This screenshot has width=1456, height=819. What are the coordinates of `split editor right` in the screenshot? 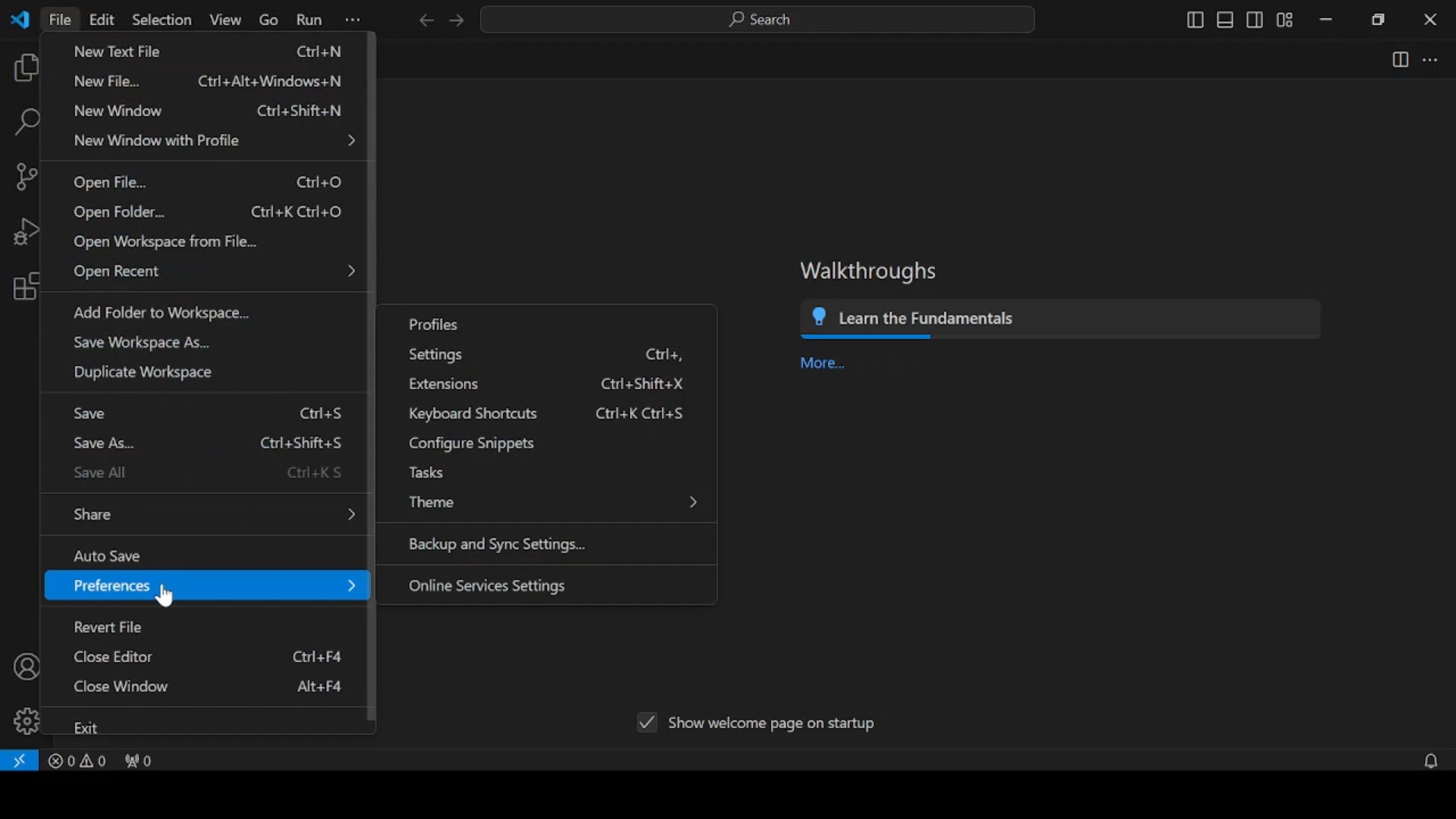 It's located at (1399, 61).